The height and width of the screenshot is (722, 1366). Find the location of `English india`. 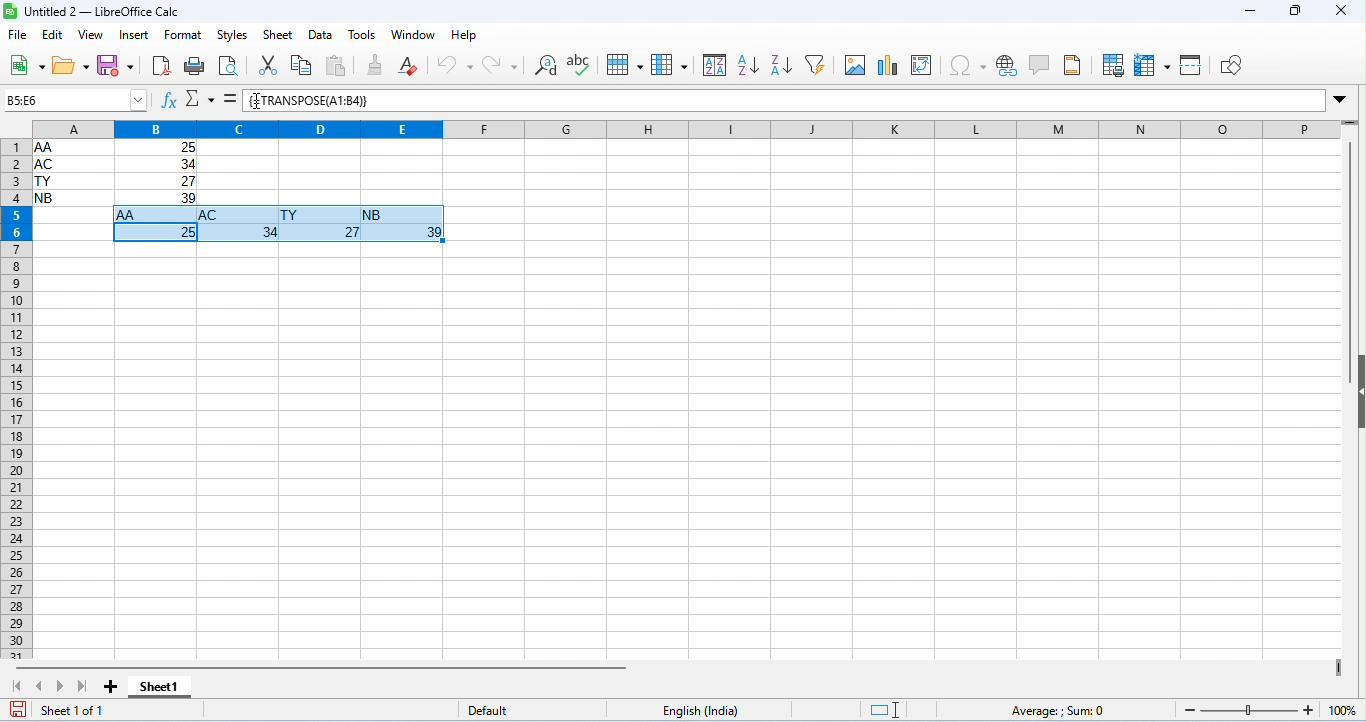

English india is located at coordinates (700, 711).